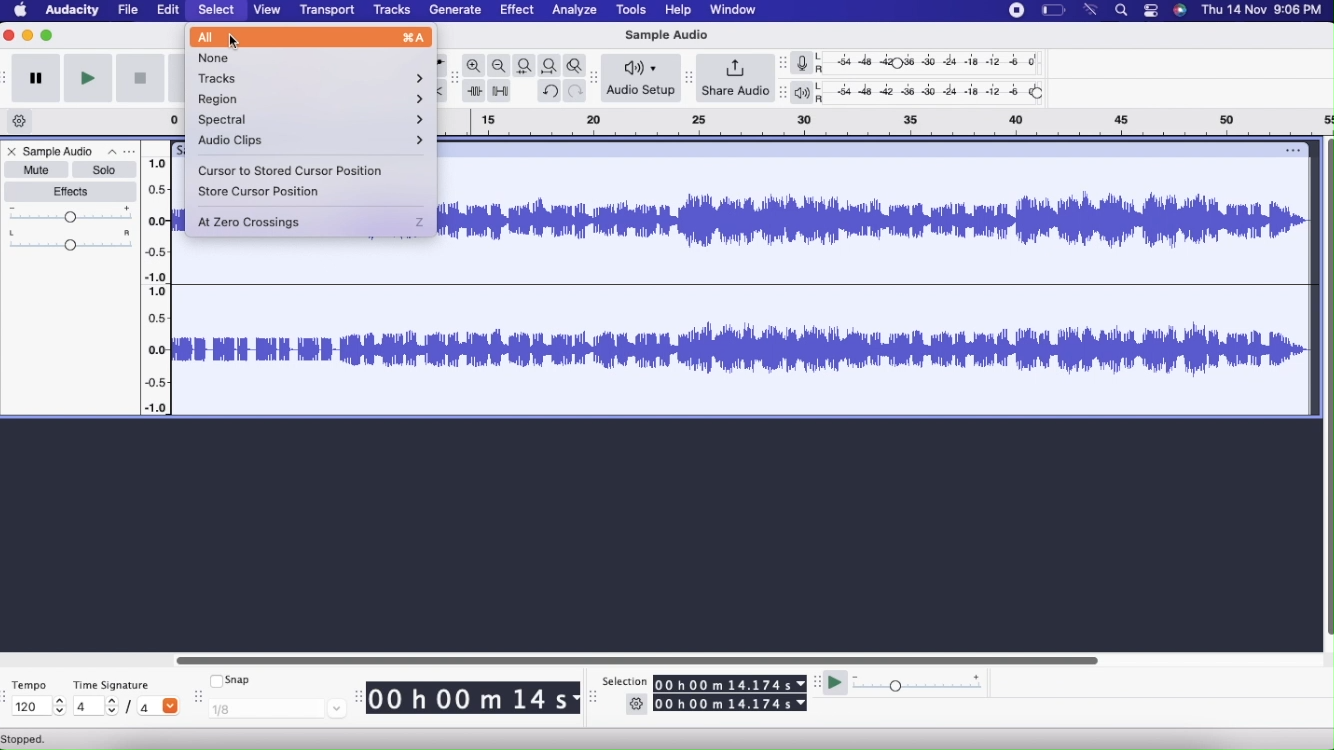  What do you see at coordinates (516, 11) in the screenshot?
I see `Effect` at bounding box center [516, 11].